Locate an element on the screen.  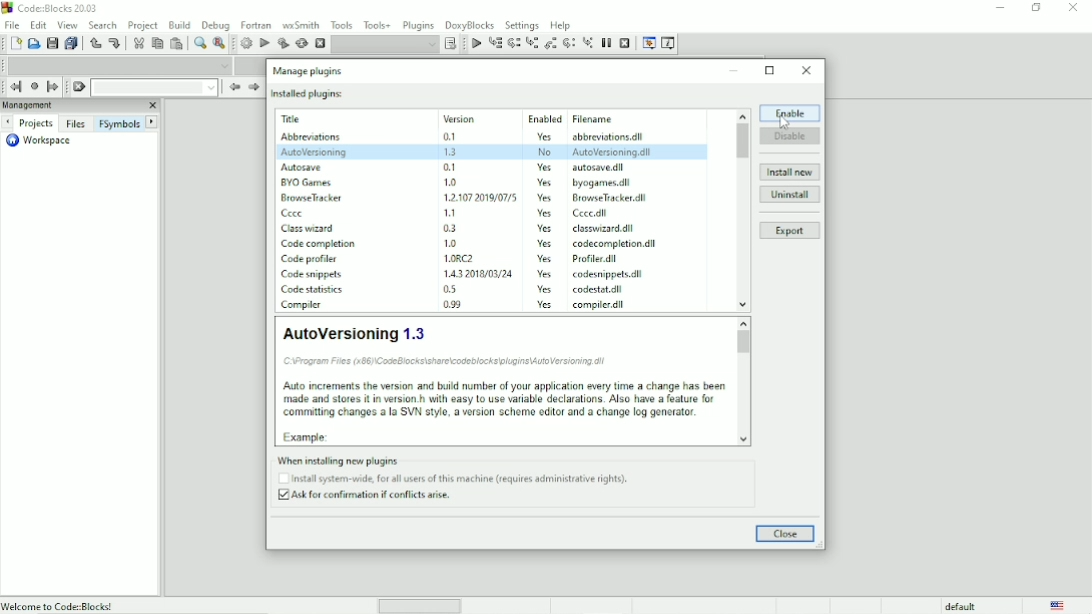
Minimize is located at coordinates (1000, 6).